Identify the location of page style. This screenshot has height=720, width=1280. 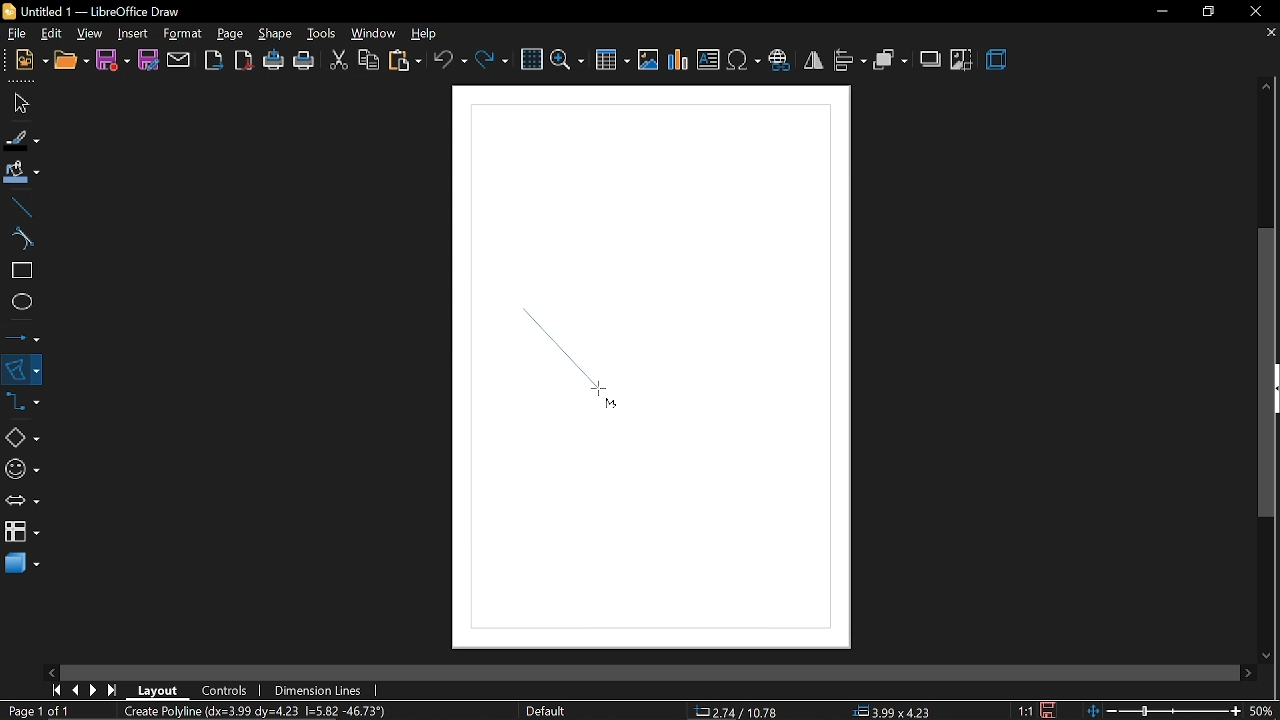
(546, 711).